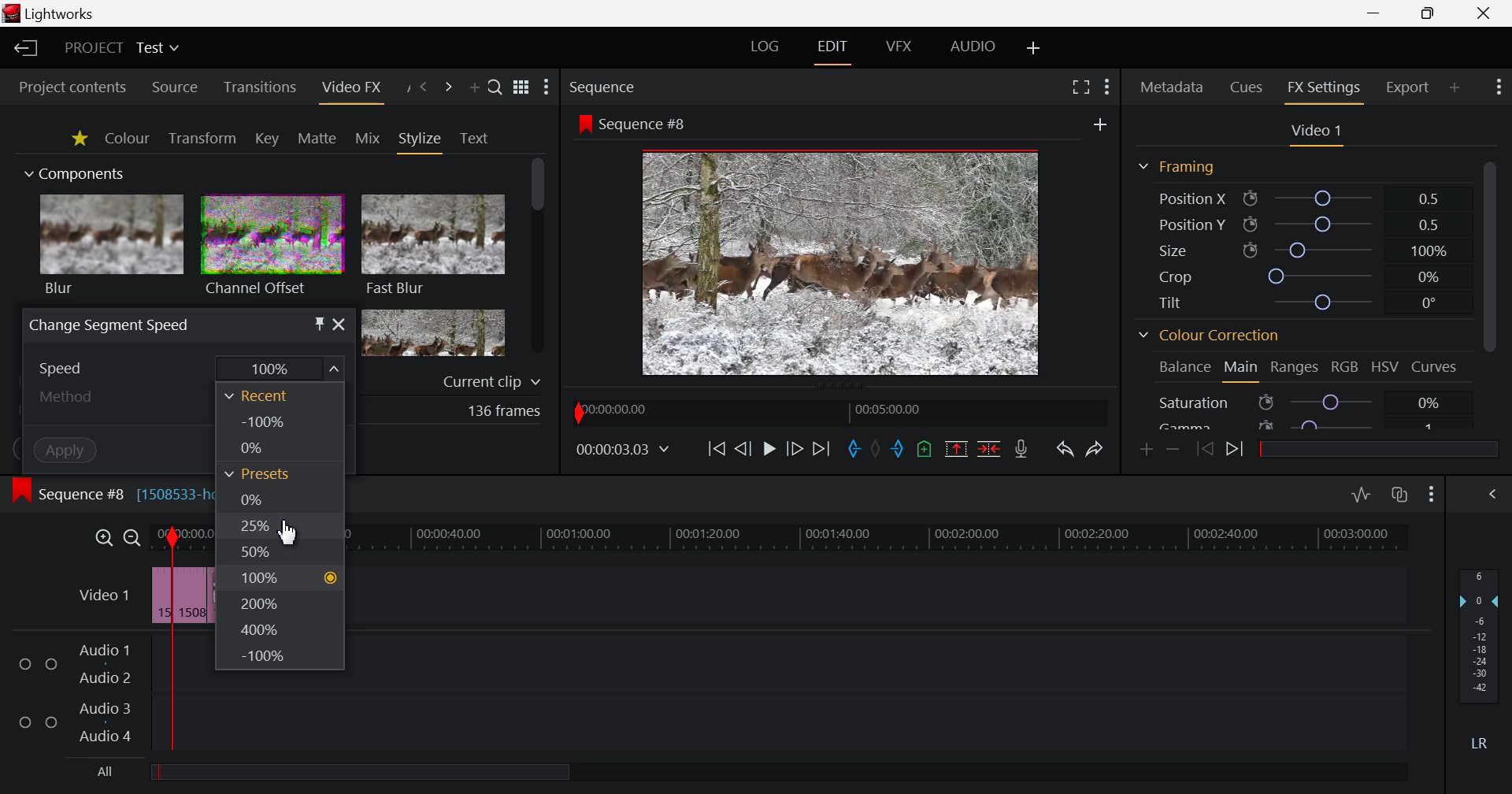 The width and height of the screenshot is (1512, 794). What do you see at coordinates (769, 454) in the screenshot?
I see `Video Played` at bounding box center [769, 454].